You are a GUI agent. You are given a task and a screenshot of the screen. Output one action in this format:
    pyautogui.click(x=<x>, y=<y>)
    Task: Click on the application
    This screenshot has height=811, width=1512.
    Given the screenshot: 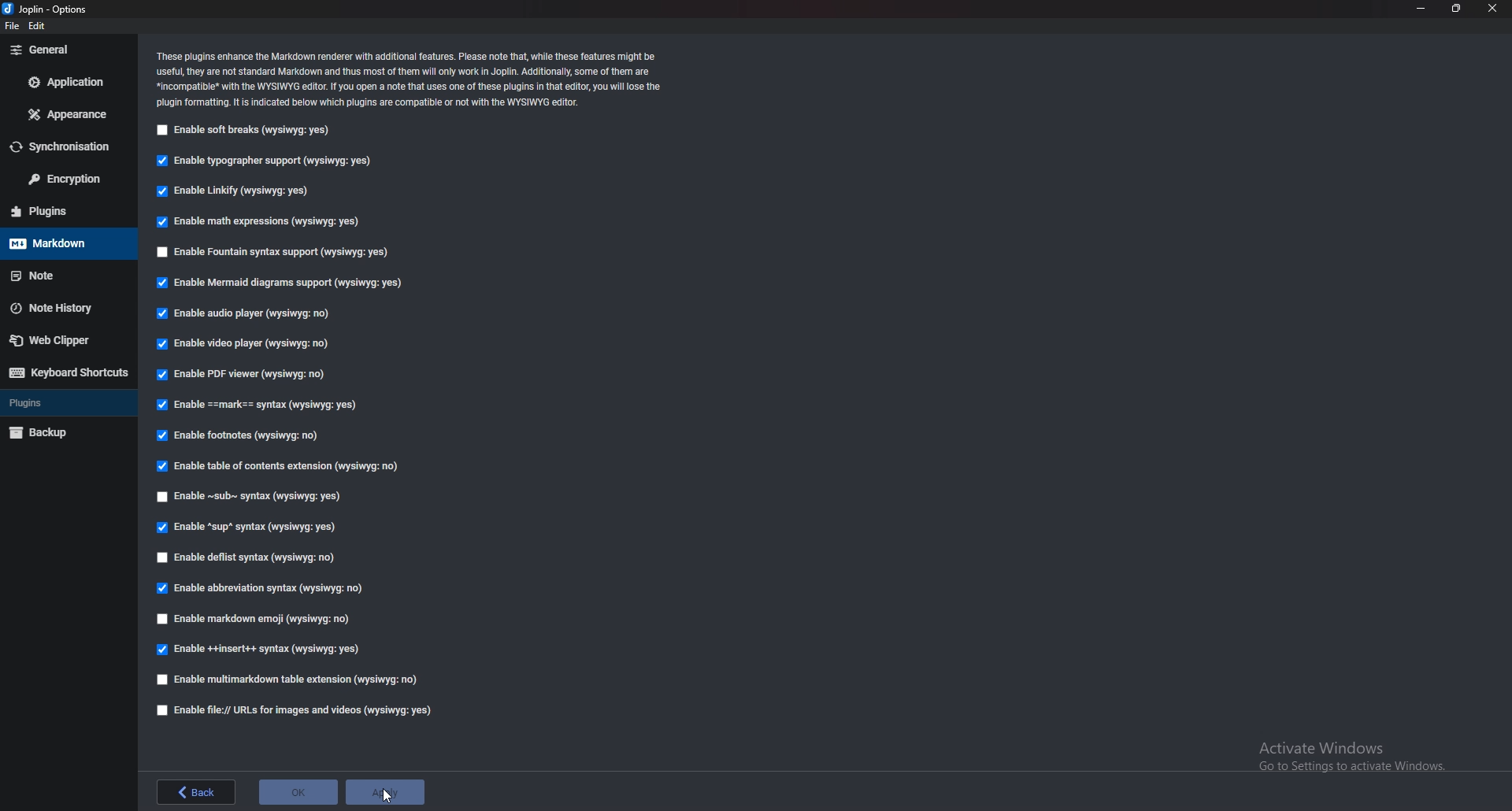 What is the action you would take?
    pyautogui.click(x=65, y=81)
    